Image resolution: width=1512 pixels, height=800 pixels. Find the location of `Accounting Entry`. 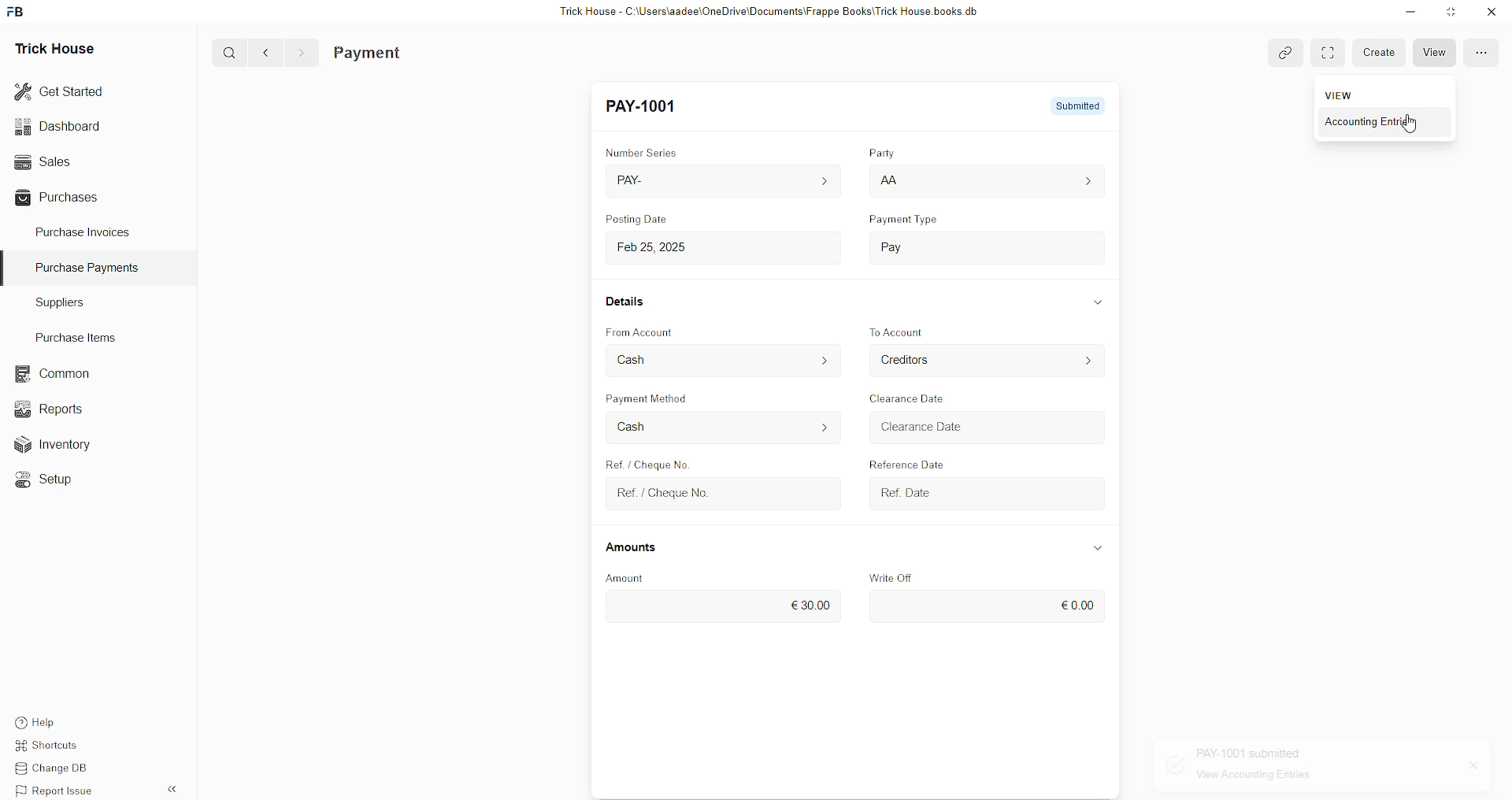

Accounting Entry is located at coordinates (1395, 123).